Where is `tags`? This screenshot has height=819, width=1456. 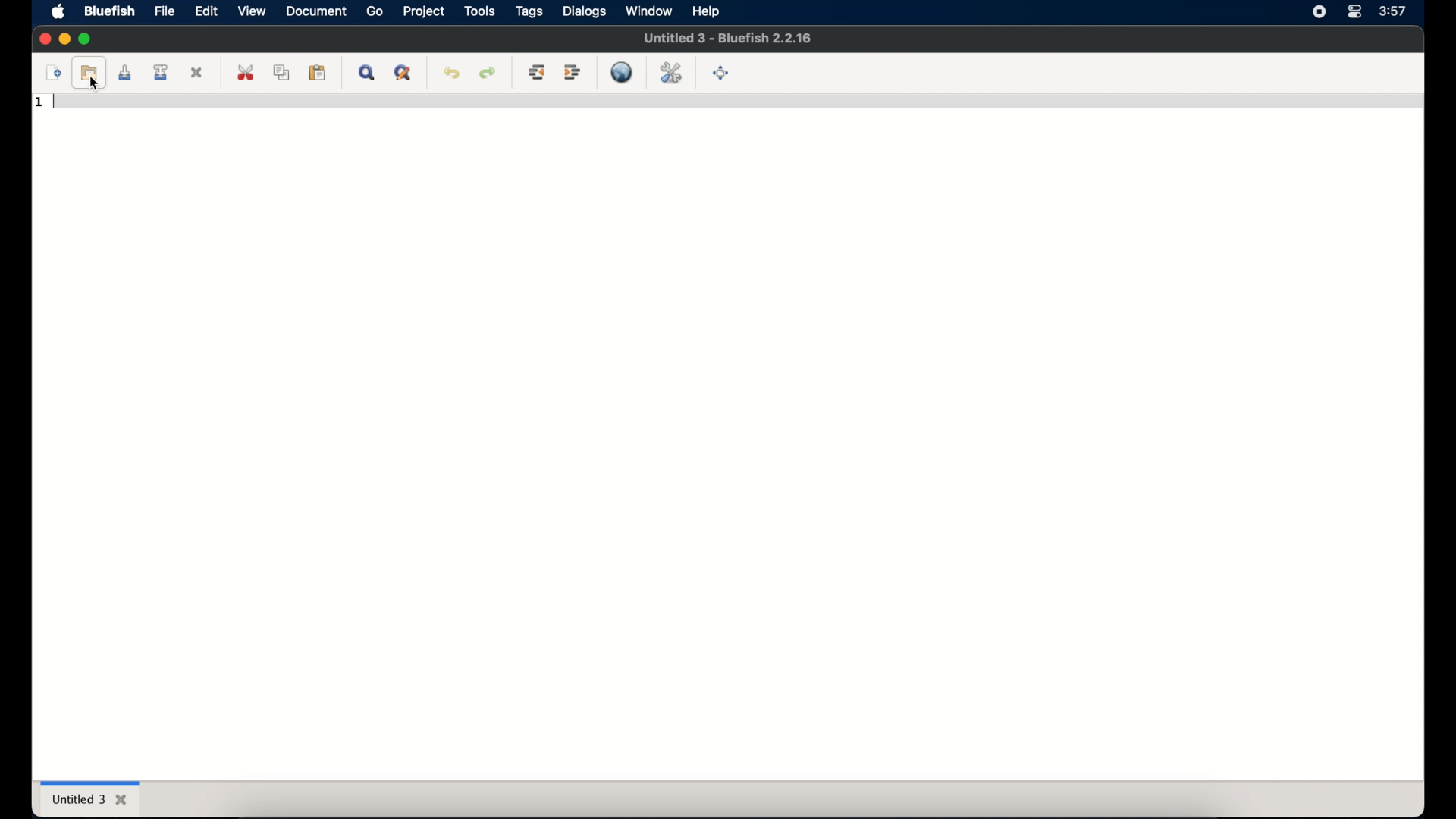
tags is located at coordinates (529, 11).